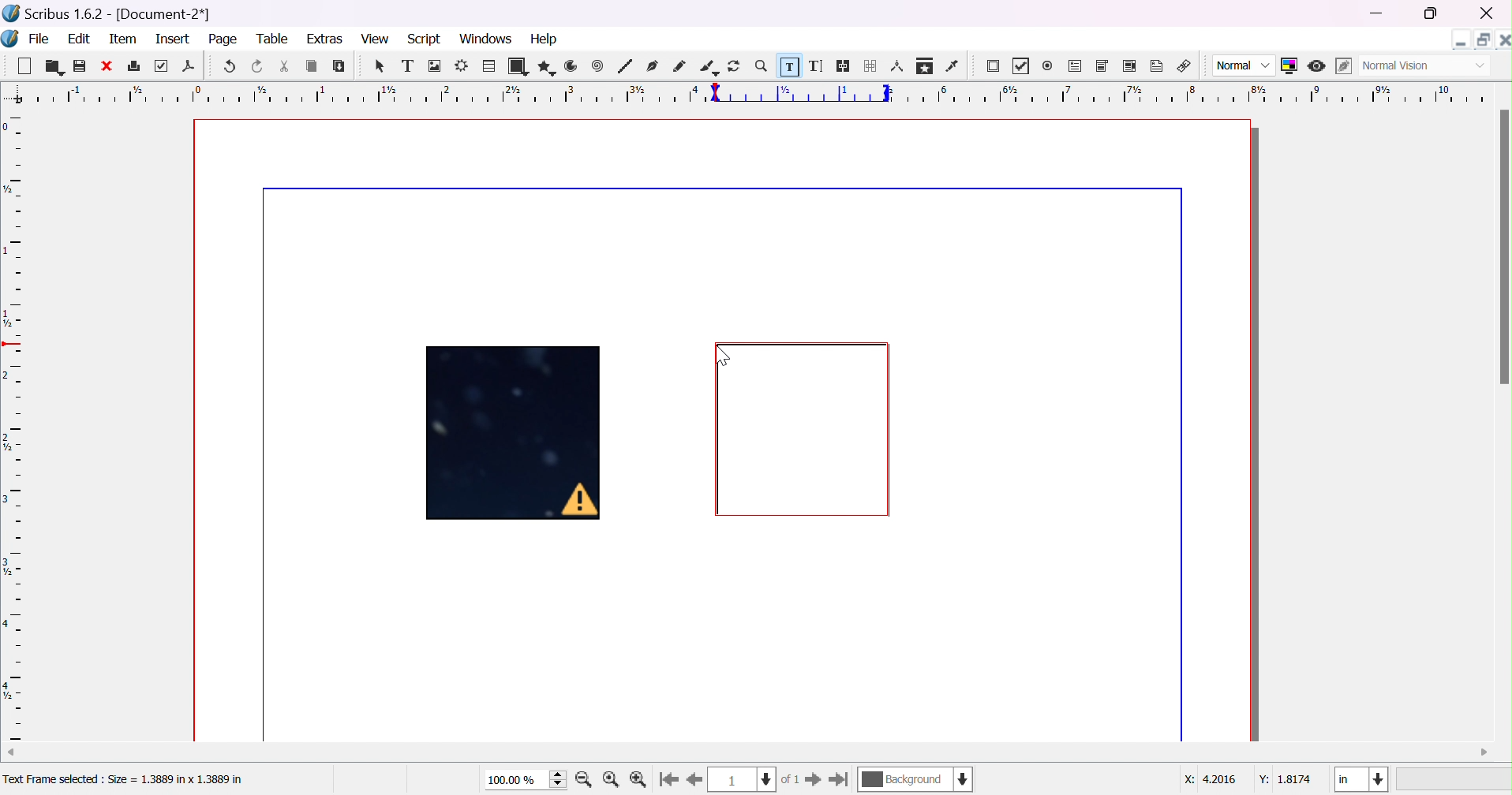 The image size is (1512, 795). I want to click on print, so click(133, 65).